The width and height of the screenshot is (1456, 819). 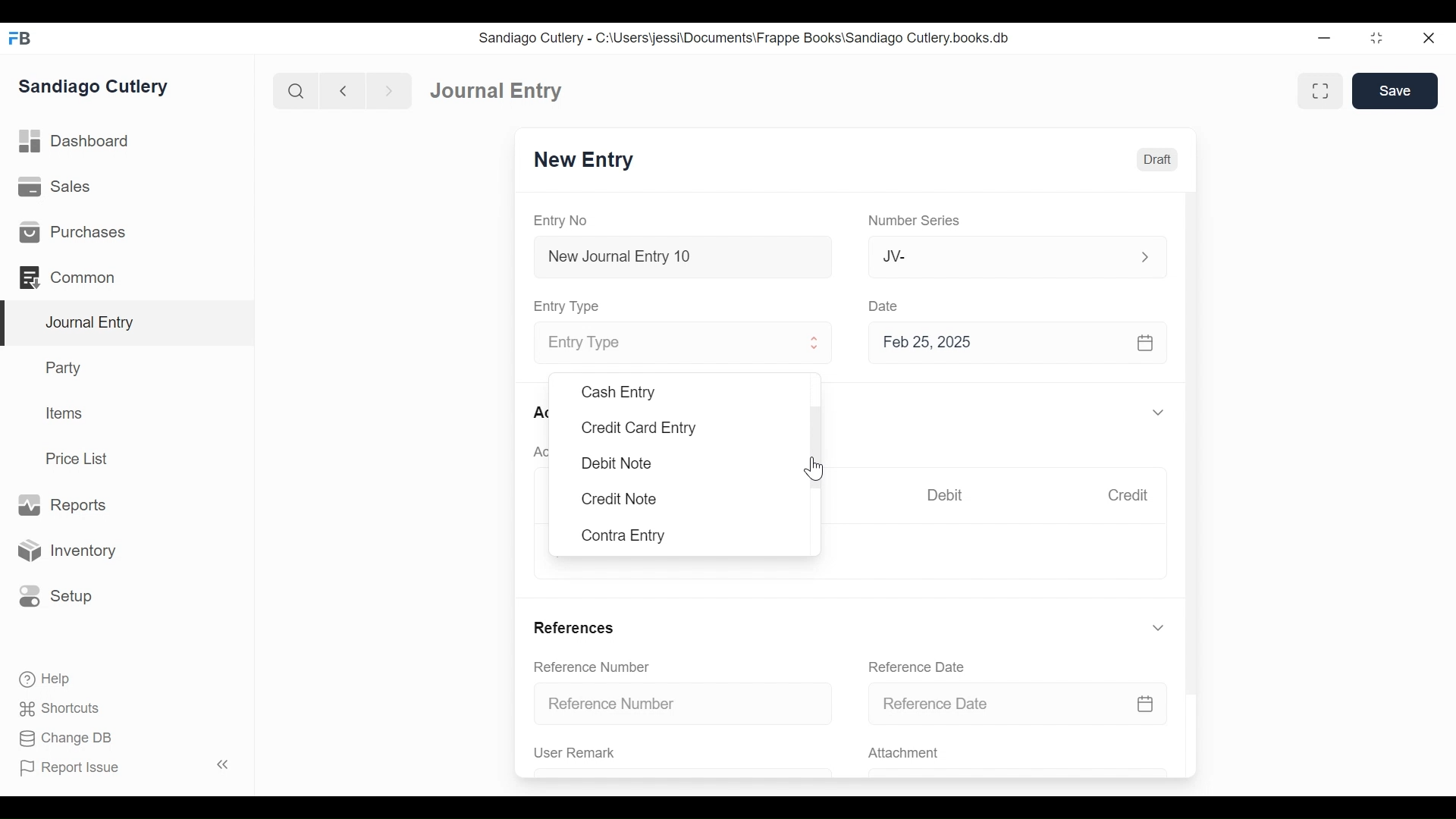 What do you see at coordinates (94, 87) in the screenshot?
I see `Sandiago Cutlery` at bounding box center [94, 87].